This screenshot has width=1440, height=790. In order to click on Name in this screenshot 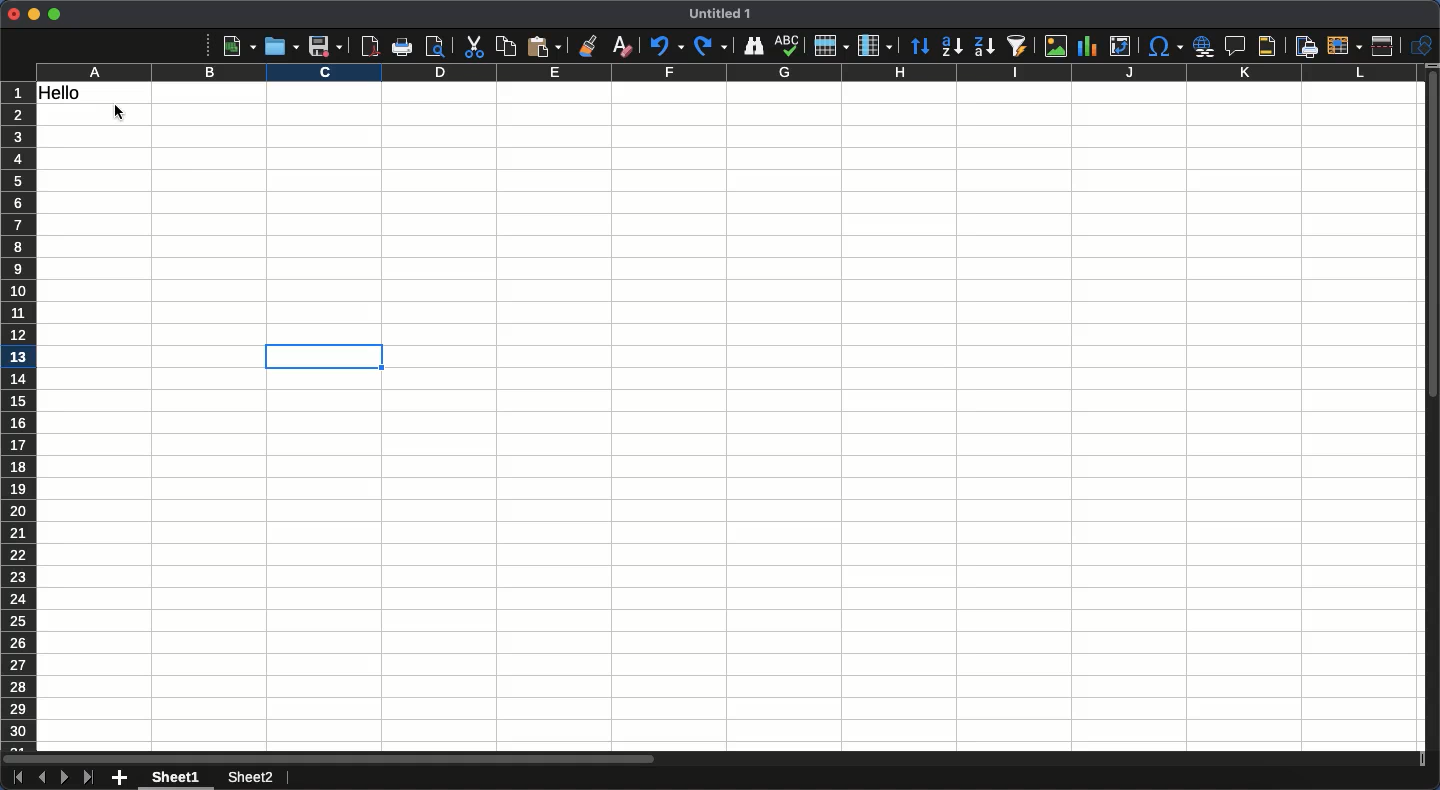, I will do `click(723, 13)`.